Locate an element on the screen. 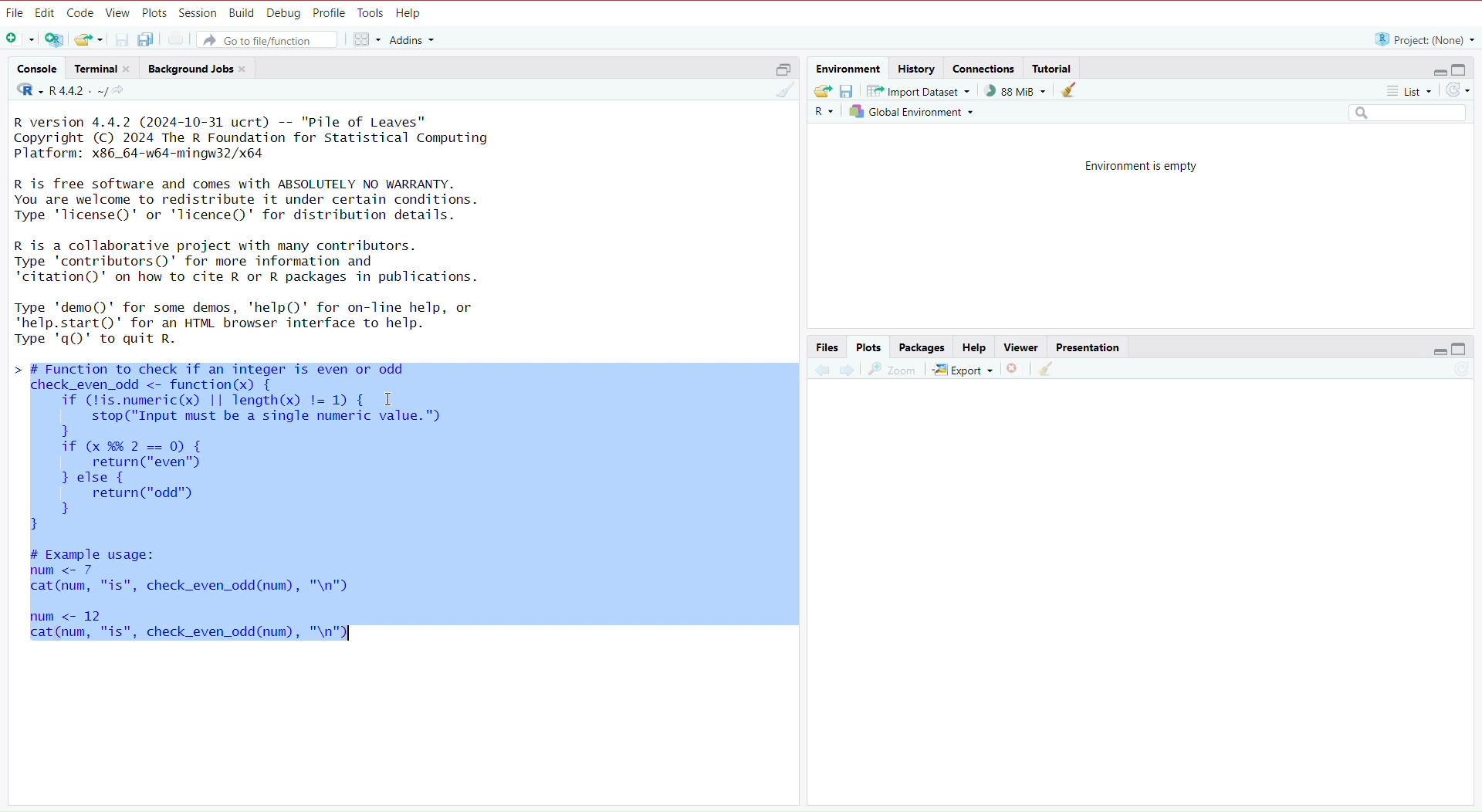  view is located at coordinates (1020, 347).